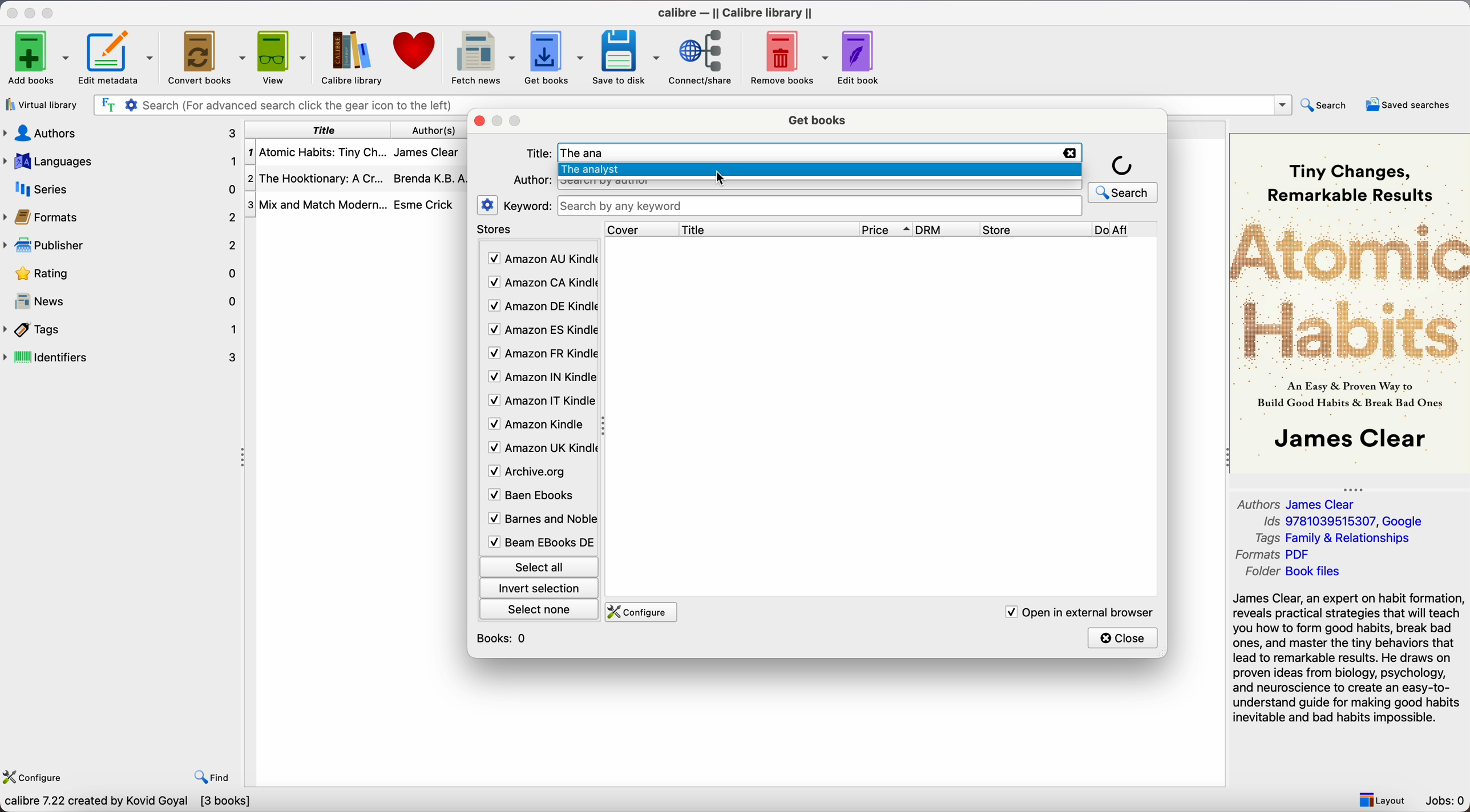 The width and height of the screenshot is (1470, 812). I want to click on connect/share, so click(702, 58).